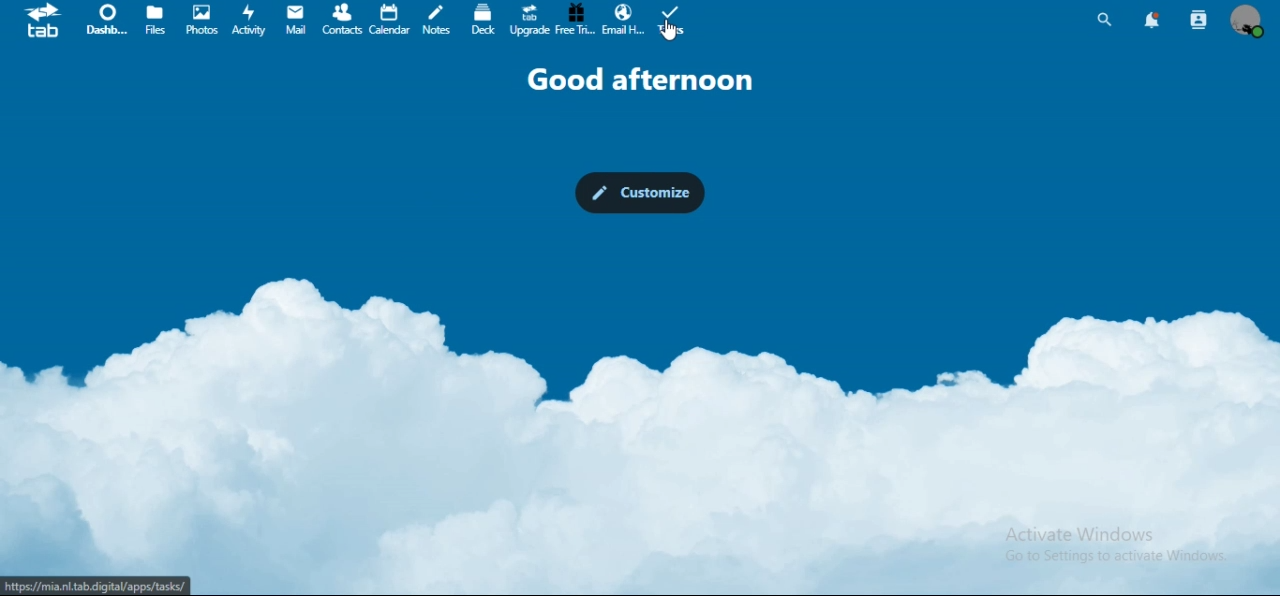 The height and width of the screenshot is (596, 1280). What do you see at coordinates (249, 21) in the screenshot?
I see `activity` at bounding box center [249, 21].